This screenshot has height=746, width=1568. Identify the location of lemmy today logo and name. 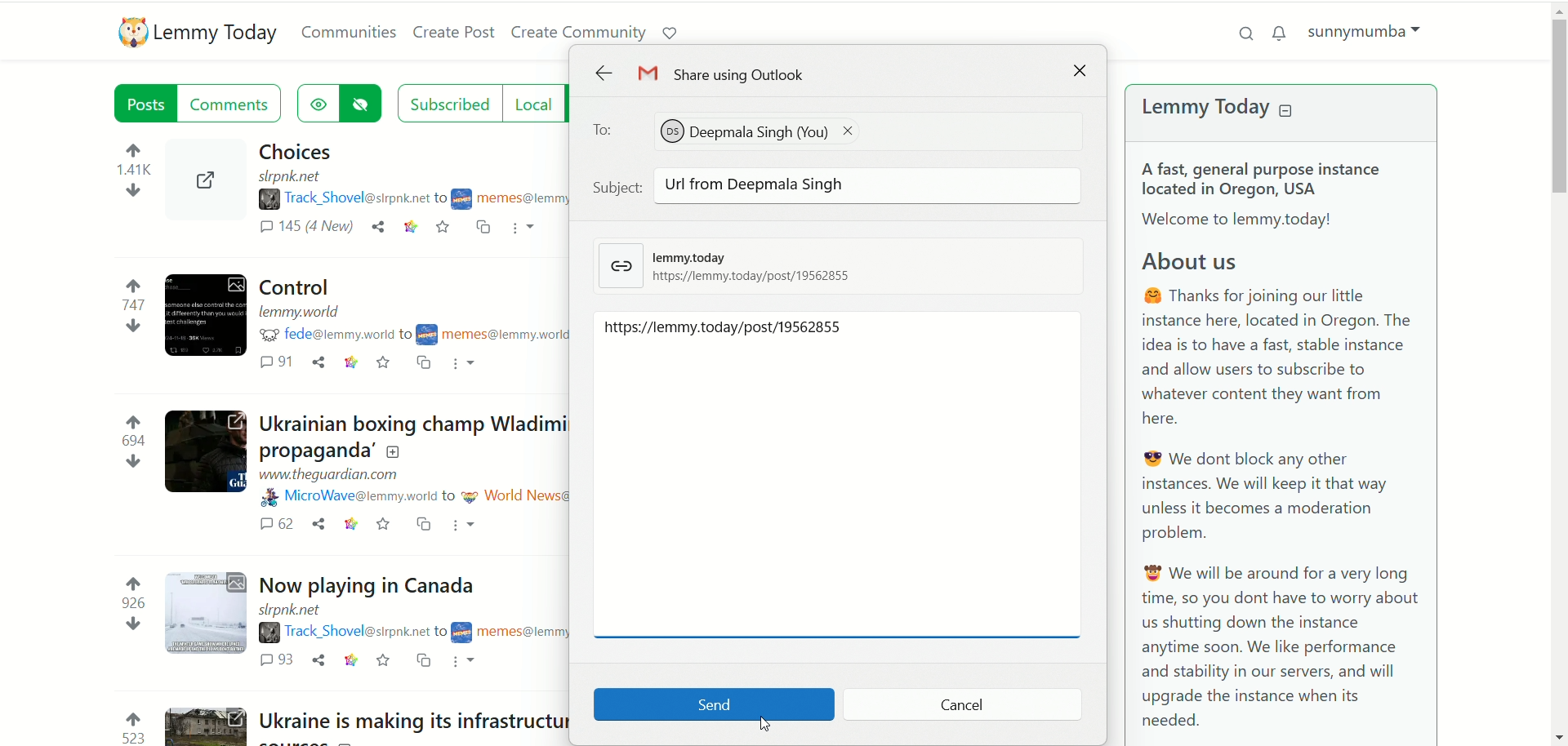
(194, 33).